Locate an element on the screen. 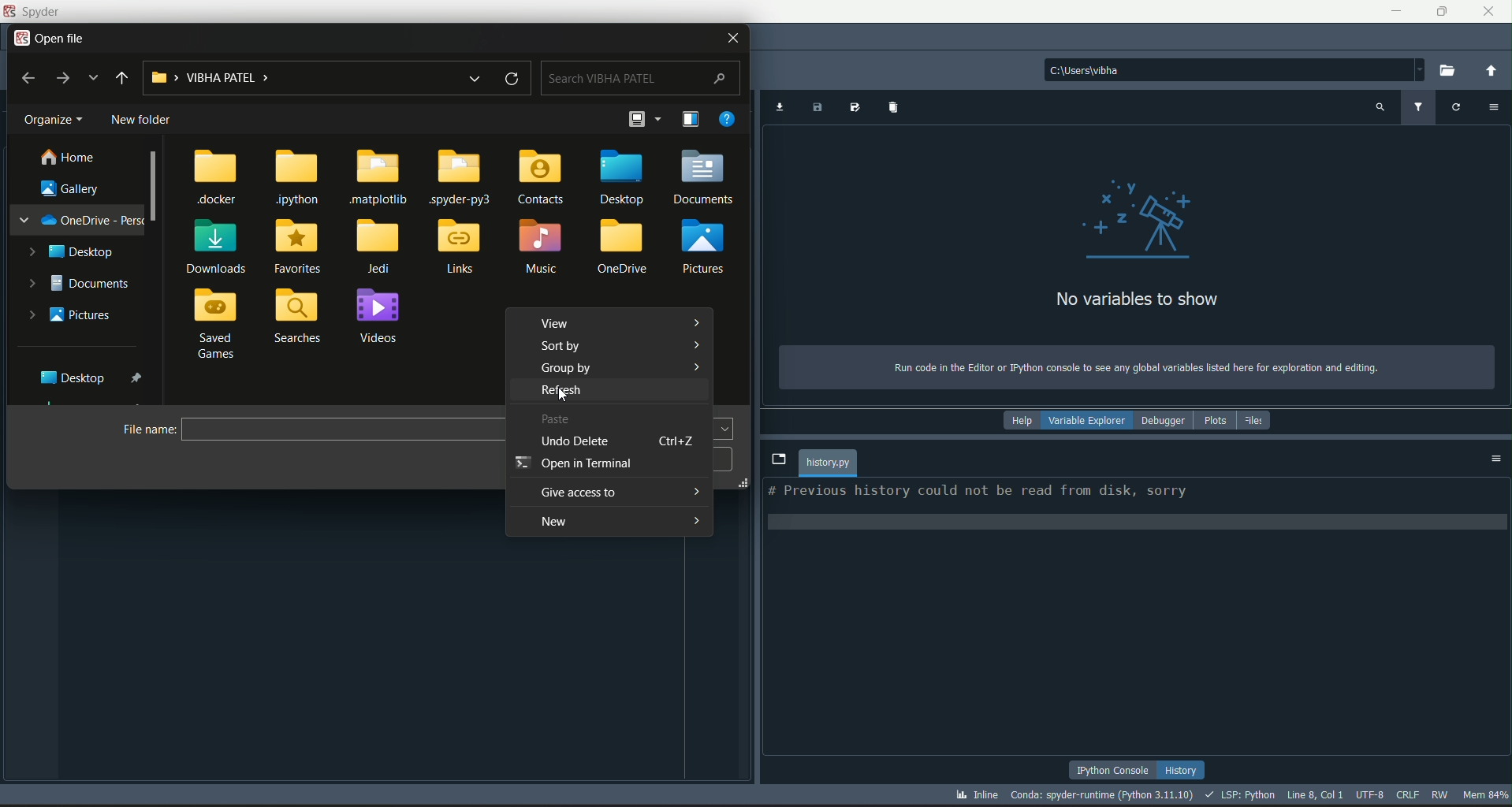 Image resolution: width=1512 pixels, height=807 pixels. change your view is located at coordinates (636, 119).